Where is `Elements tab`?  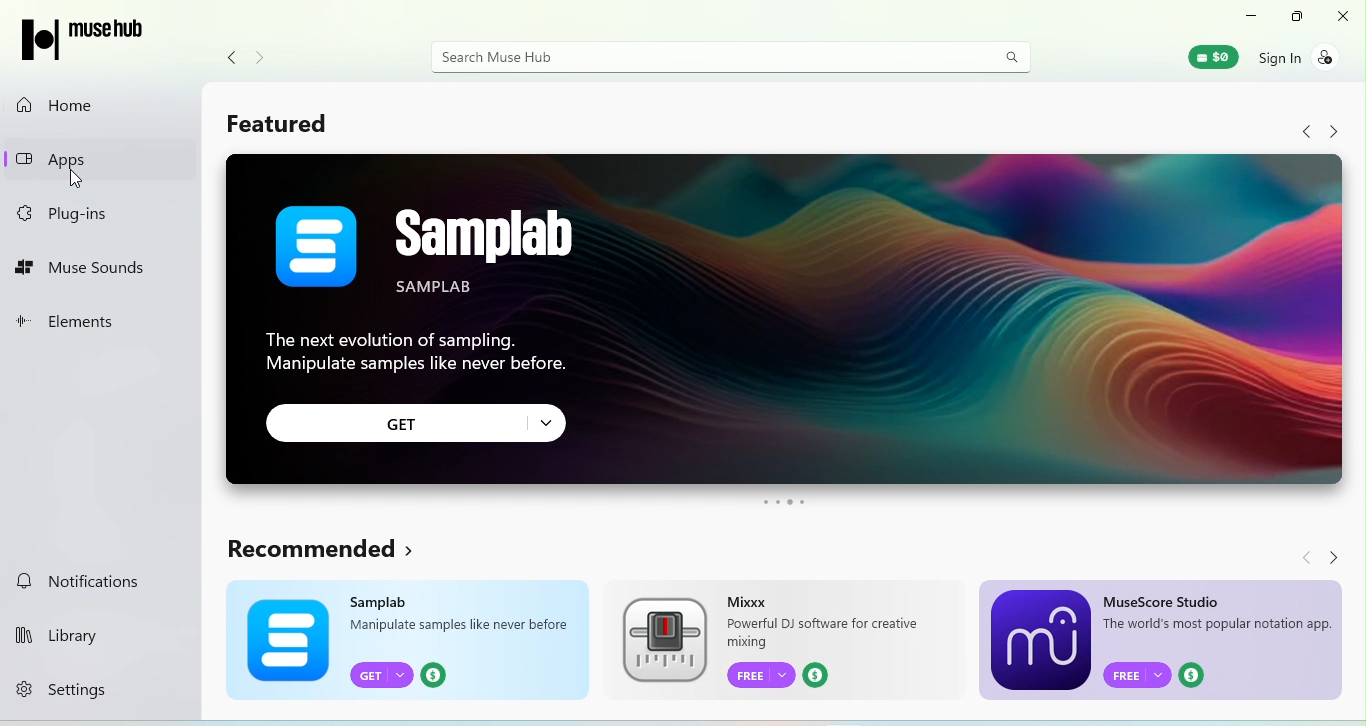 Elements tab is located at coordinates (76, 320).